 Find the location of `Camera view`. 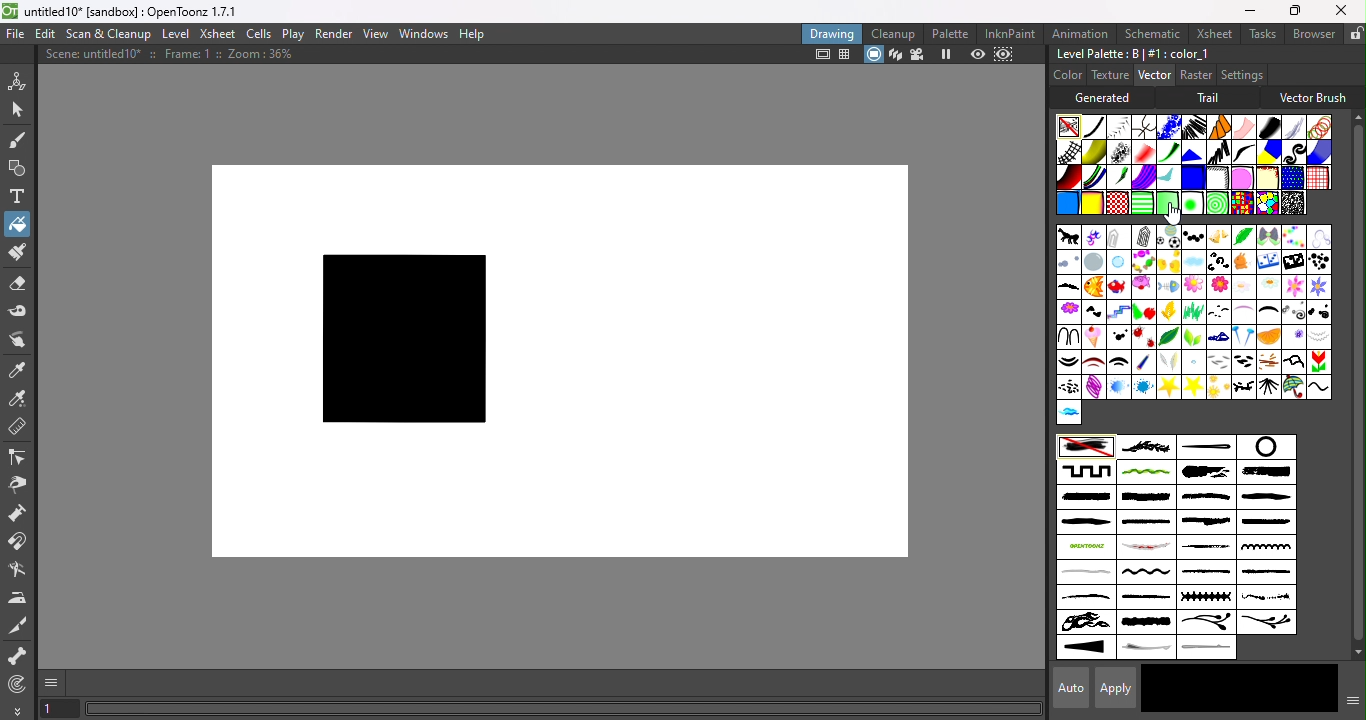

Camera view is located at coordinates (916, 55).